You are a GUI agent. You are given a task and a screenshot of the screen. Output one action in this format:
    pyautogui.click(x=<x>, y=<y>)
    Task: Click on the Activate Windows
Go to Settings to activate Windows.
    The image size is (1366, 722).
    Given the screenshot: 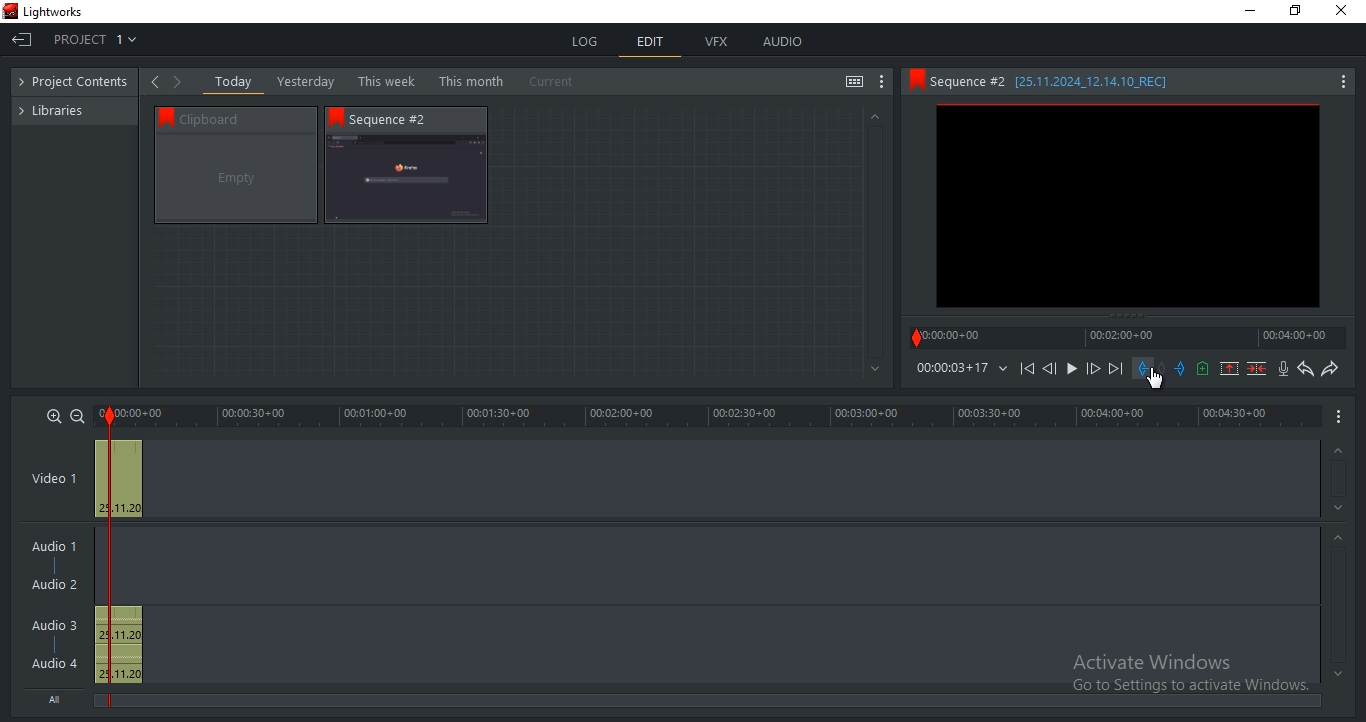 What is the action you would take?
    pyautogui.click(x=1190, y=675)
    